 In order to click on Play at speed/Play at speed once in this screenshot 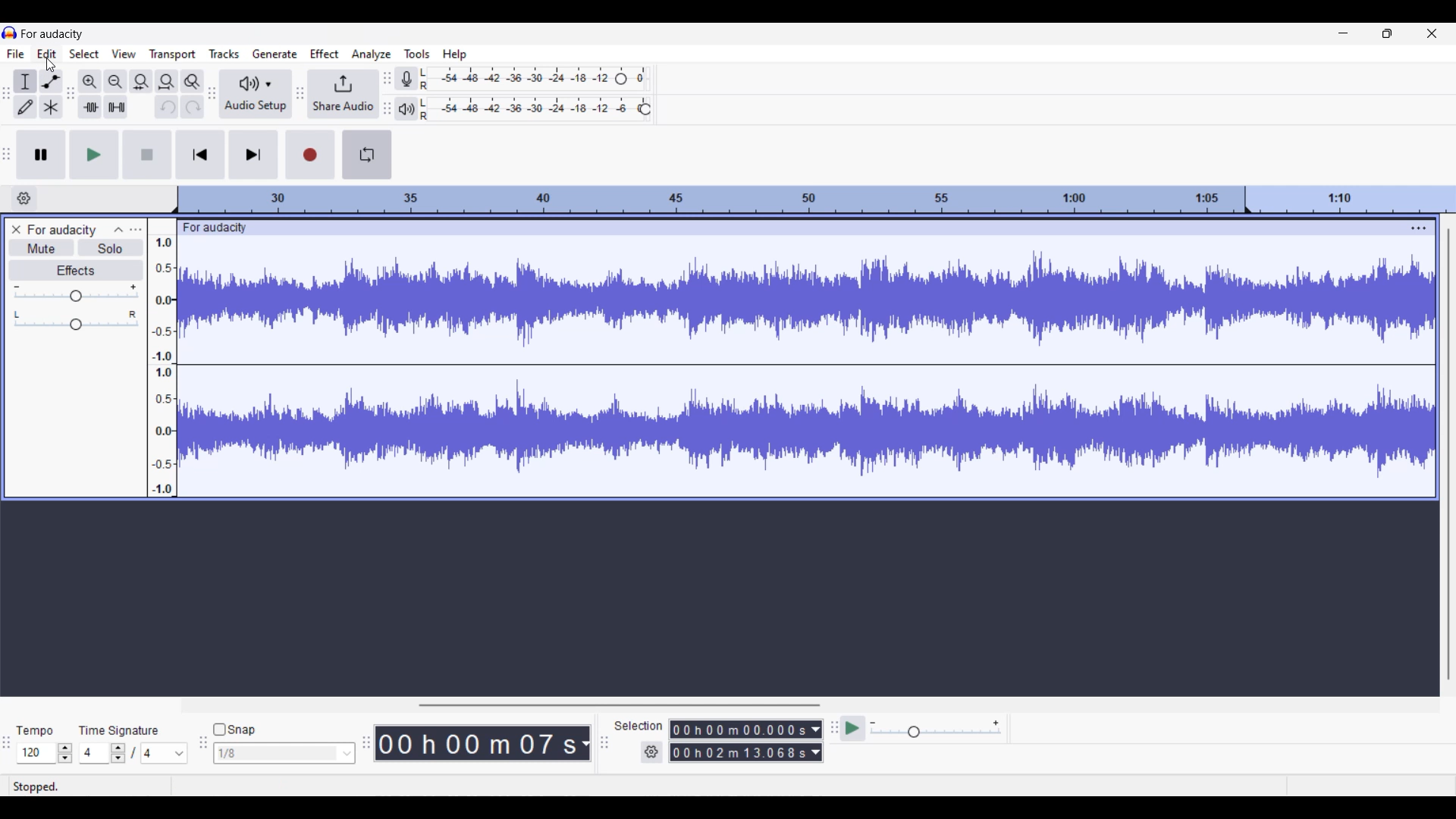, I will do `click(852, 729)`.